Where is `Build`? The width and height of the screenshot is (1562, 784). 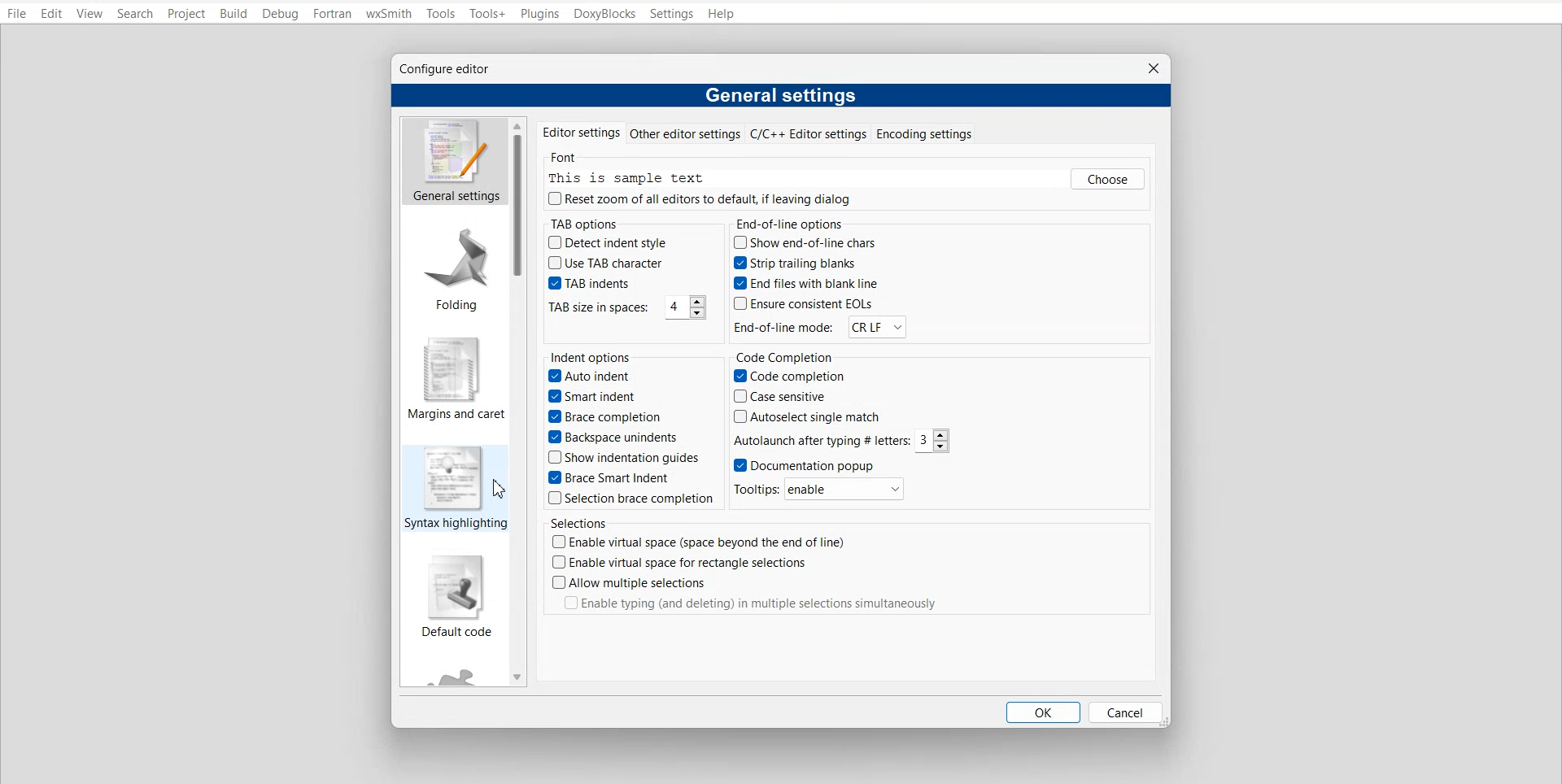
Build is located at coordinates (233, 13).